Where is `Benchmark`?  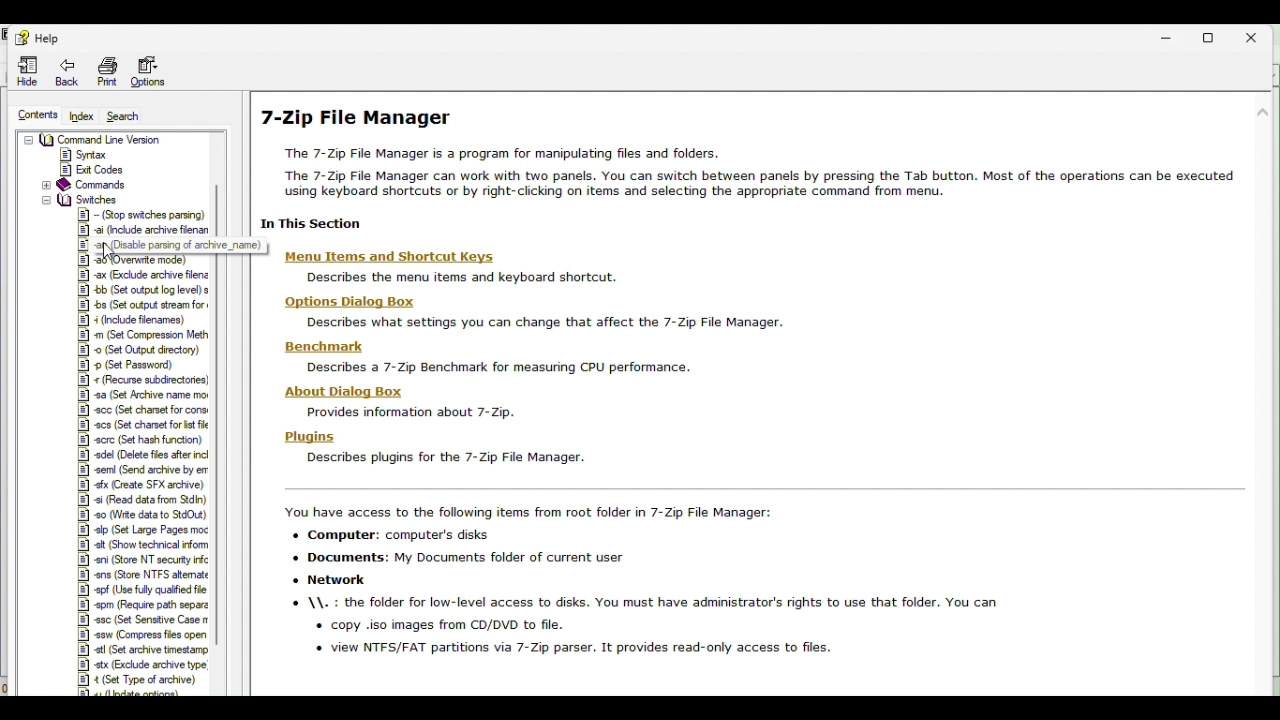
Benchmark is located at coordinates (330, 346).